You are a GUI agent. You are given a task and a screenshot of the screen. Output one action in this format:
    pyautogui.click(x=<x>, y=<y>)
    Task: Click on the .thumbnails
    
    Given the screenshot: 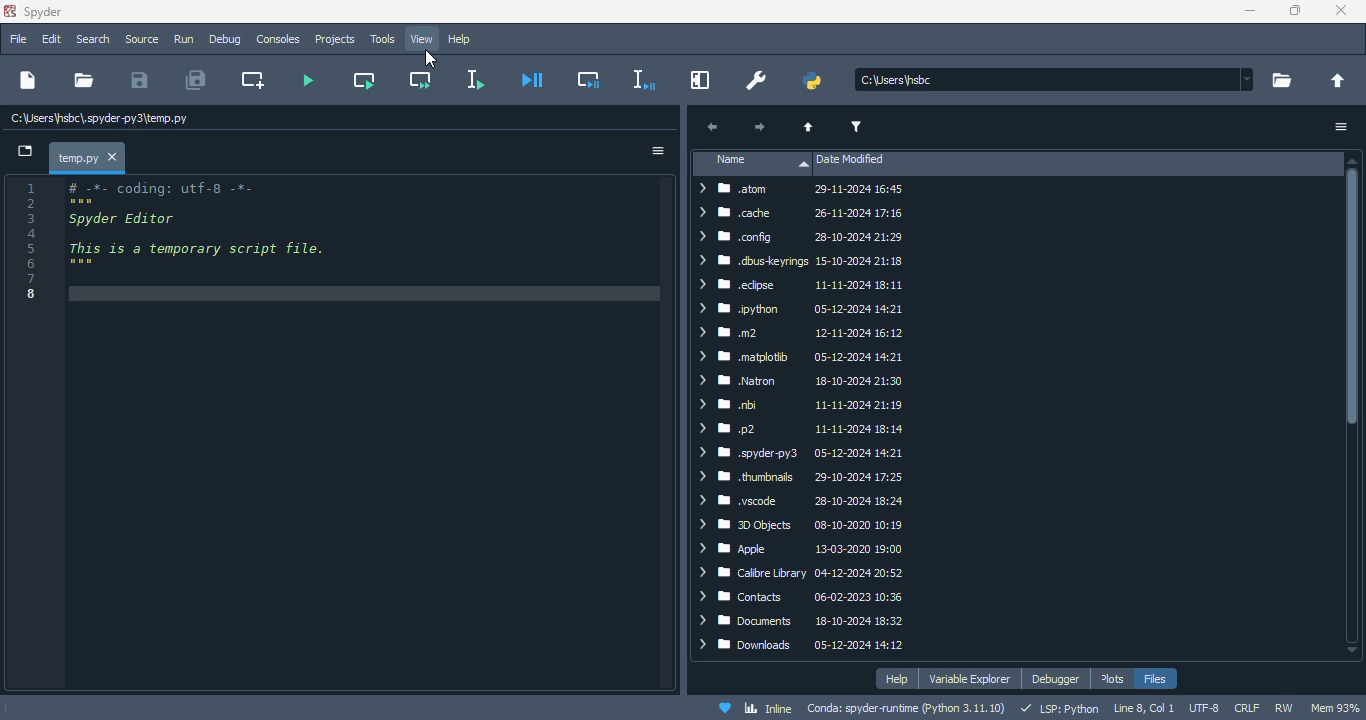 What is the action you would take?
    pyautogui.click(x=806, y=477)
    